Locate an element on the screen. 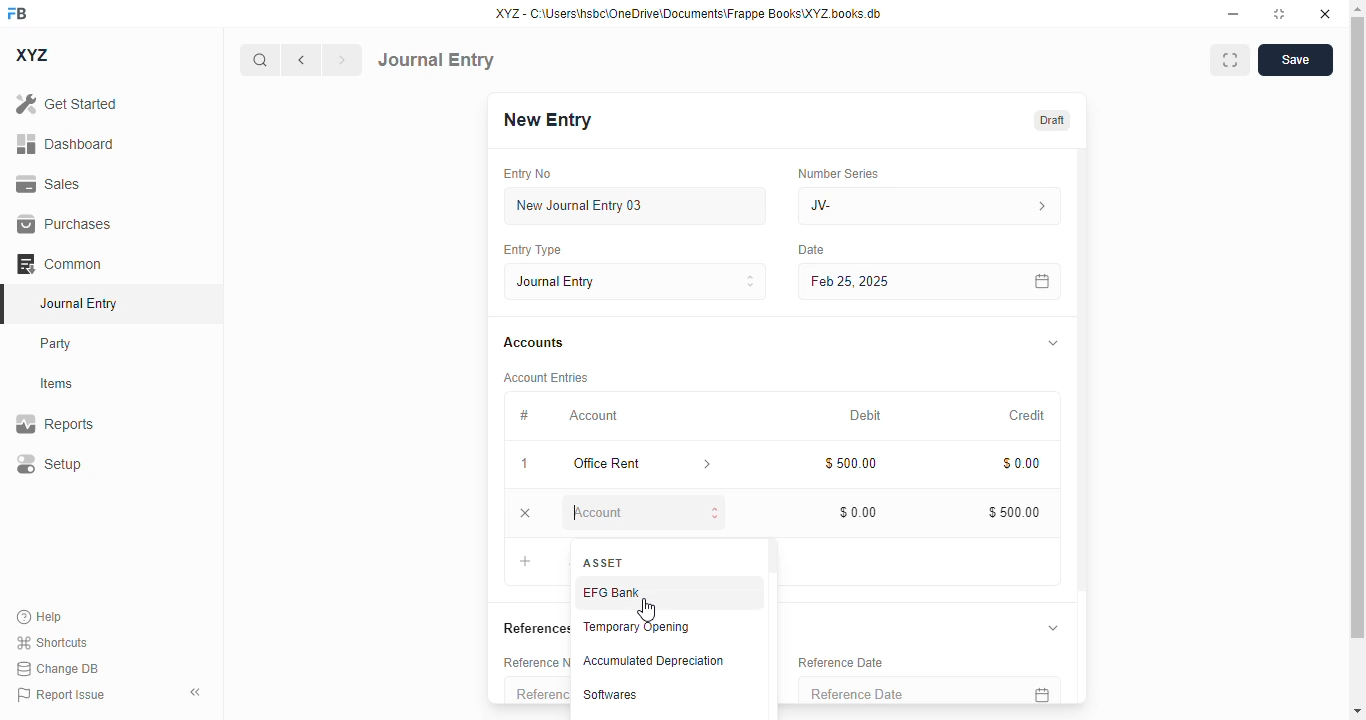 This screenshot has height=720, width=1366. scroll bar is located at coordinates (773, 628).